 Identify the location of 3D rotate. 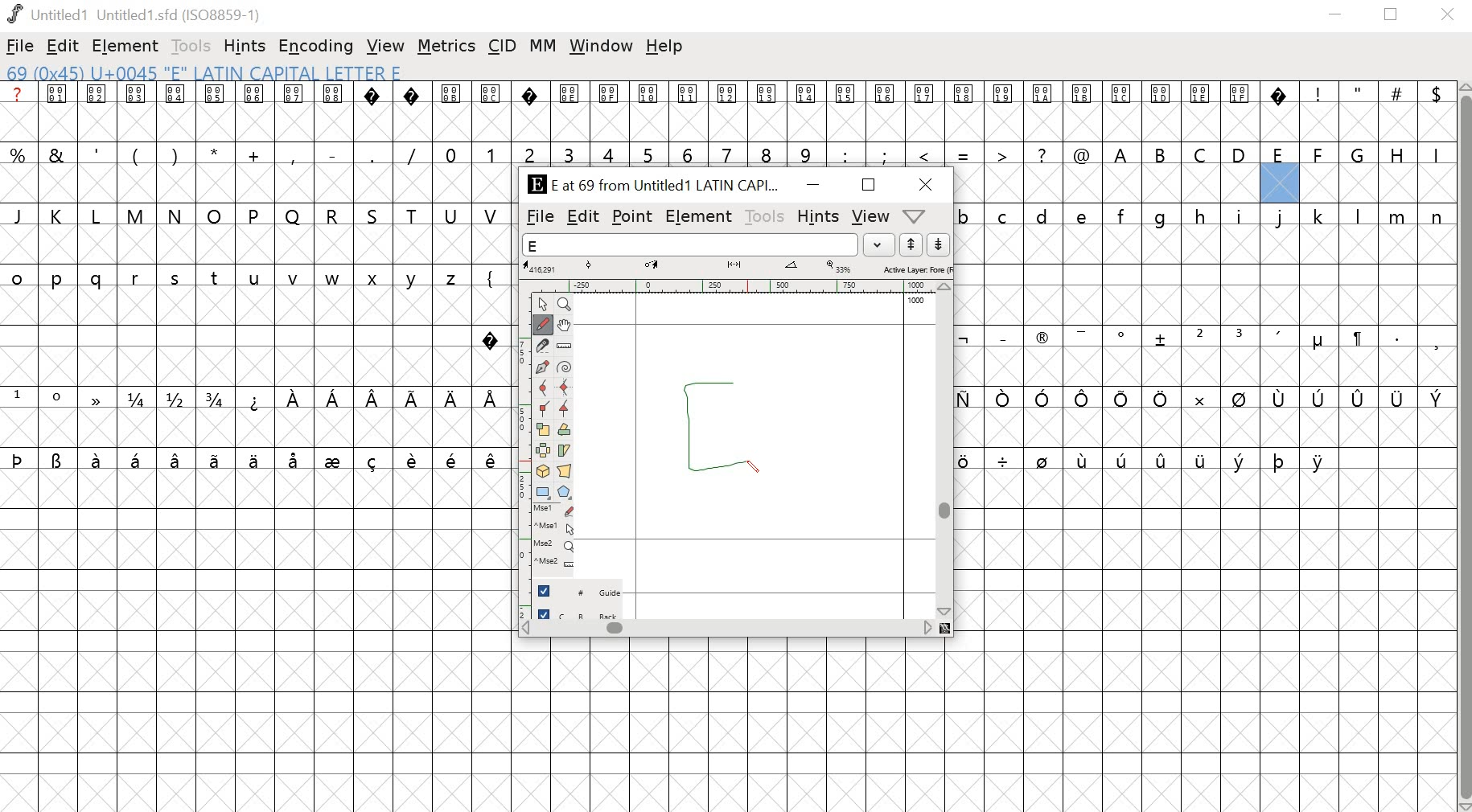
(543, 473).